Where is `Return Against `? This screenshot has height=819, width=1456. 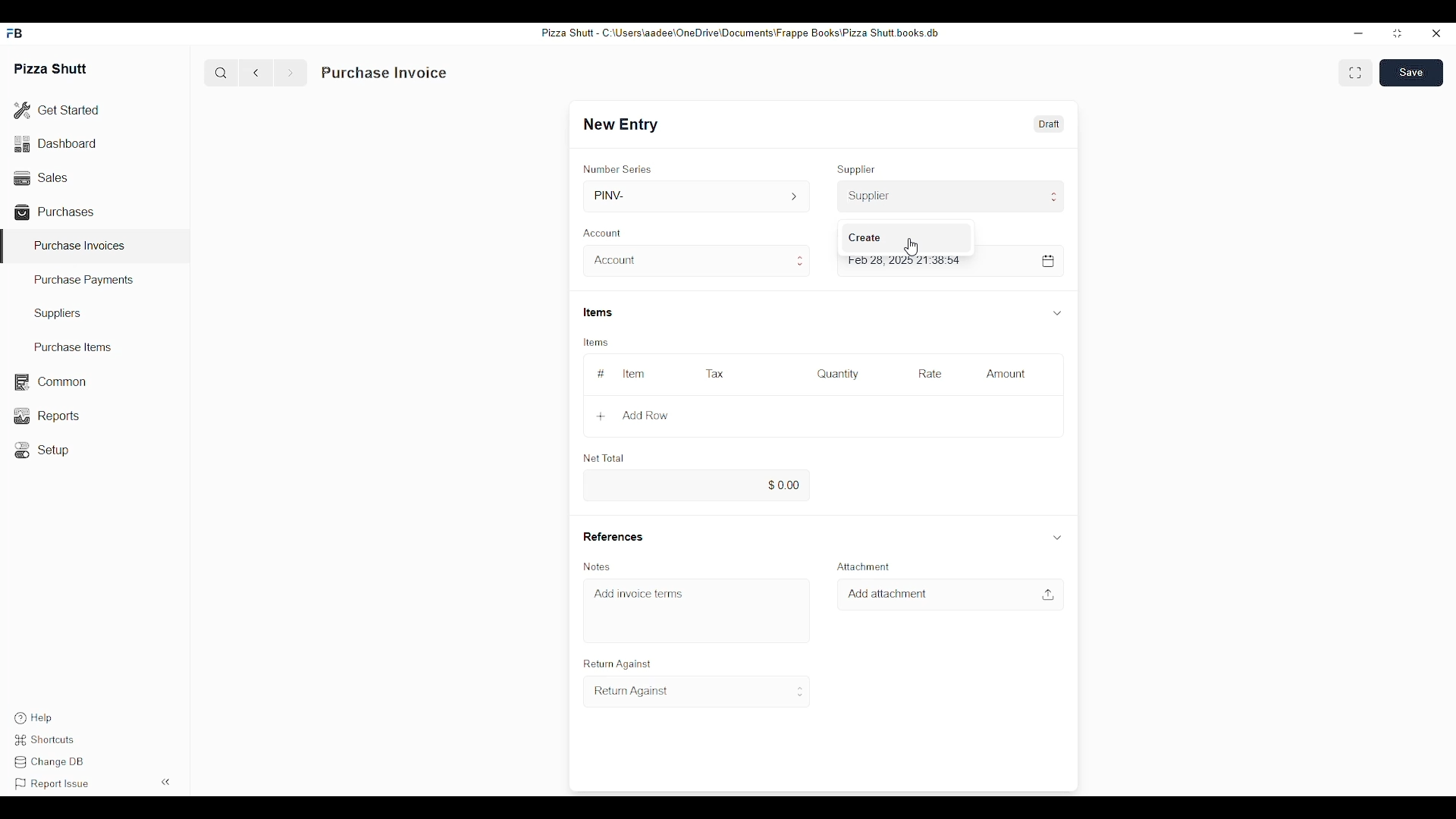
Return Against  is located at coordinates (698, 692).